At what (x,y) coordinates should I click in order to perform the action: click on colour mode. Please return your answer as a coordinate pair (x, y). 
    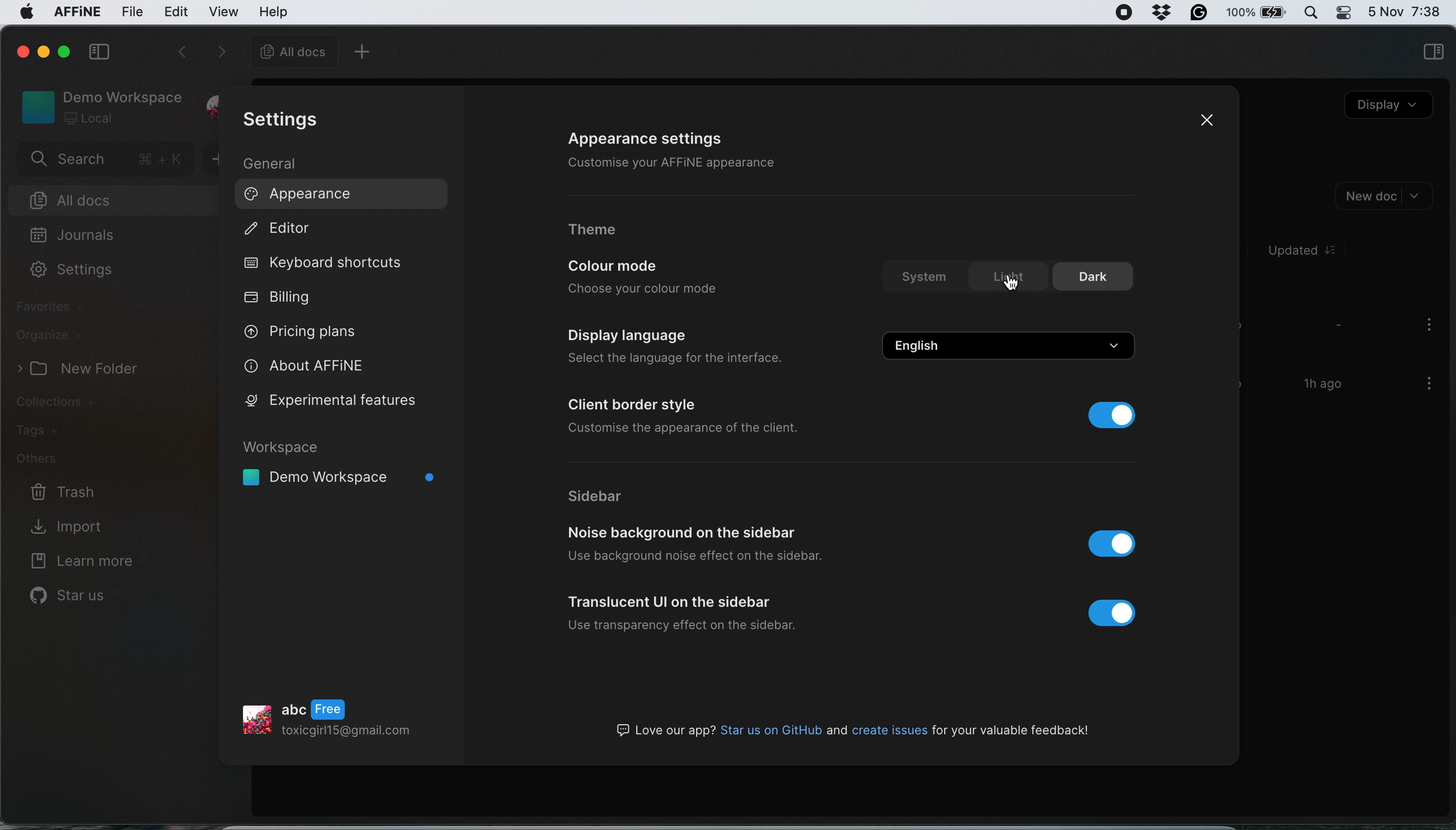
    Looking at the image, I should click on (622, 267).